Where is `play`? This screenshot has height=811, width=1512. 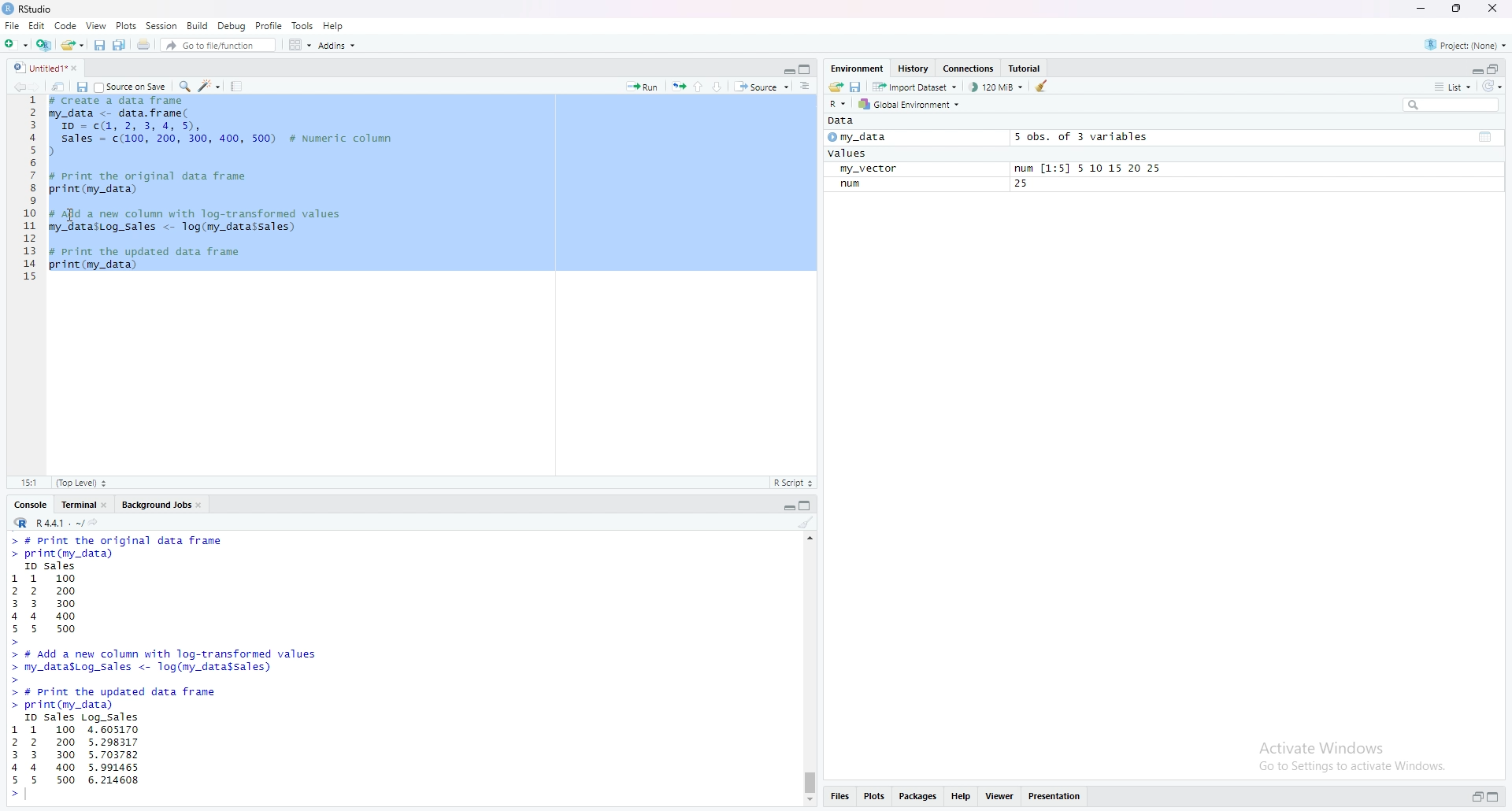
play is located at coordinates (831, 139).